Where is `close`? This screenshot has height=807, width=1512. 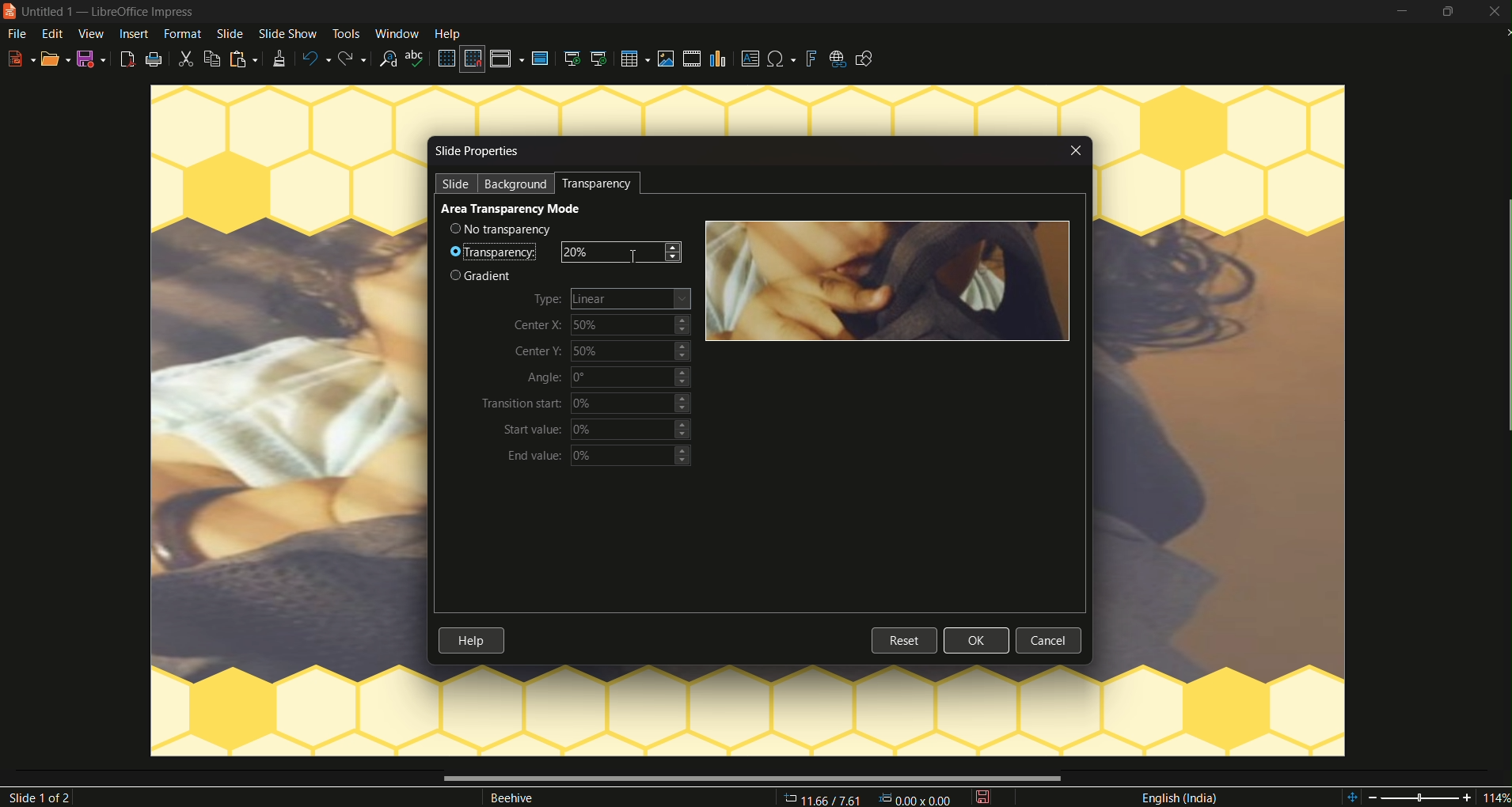 close is located at coordinates (1494, 13).